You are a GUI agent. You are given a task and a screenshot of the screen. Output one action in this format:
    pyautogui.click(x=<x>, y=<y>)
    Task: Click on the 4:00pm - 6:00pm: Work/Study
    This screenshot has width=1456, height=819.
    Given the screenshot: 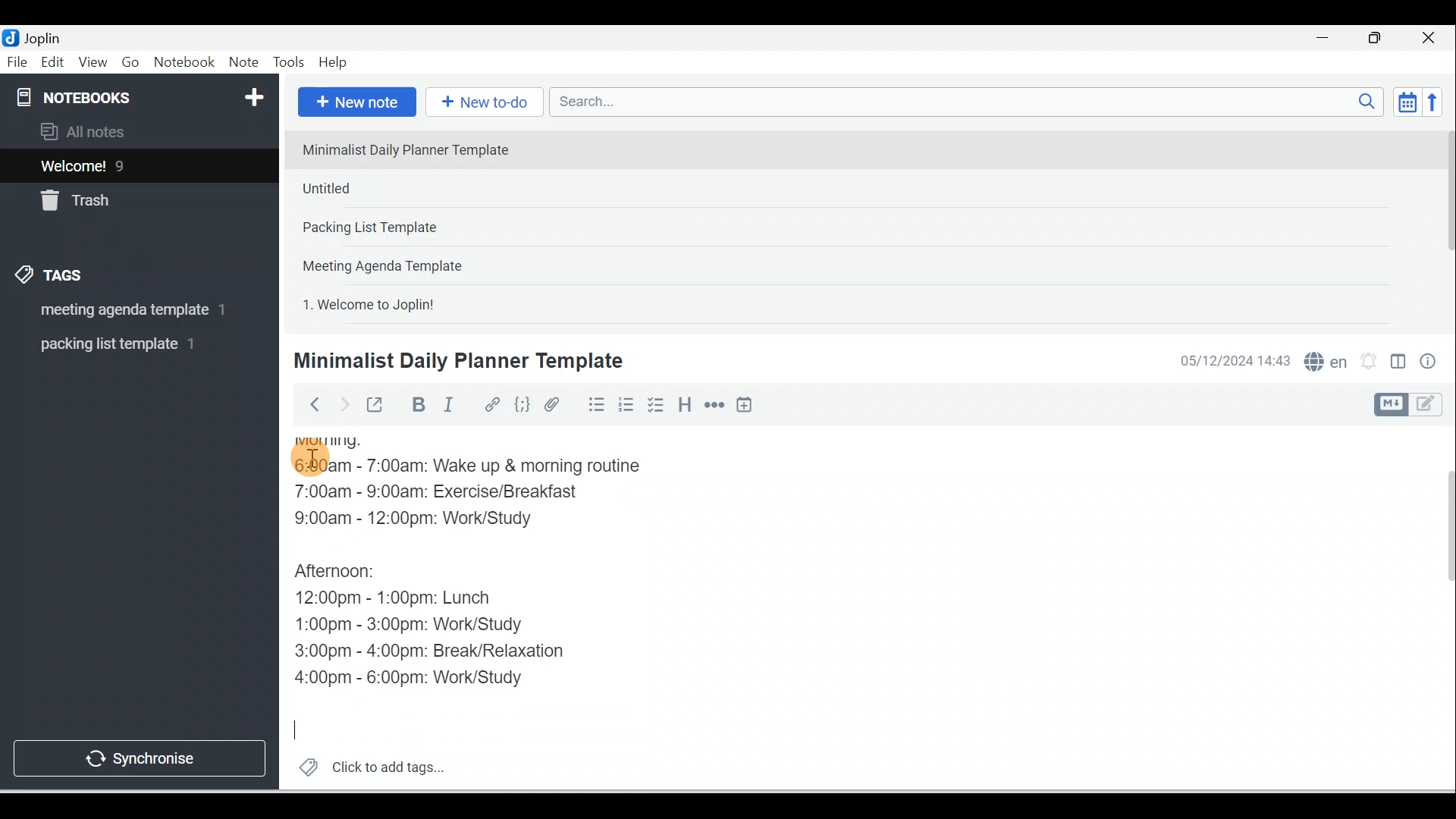 What is the action you would take?
    pyautogui.click(x=415, y=677)
    